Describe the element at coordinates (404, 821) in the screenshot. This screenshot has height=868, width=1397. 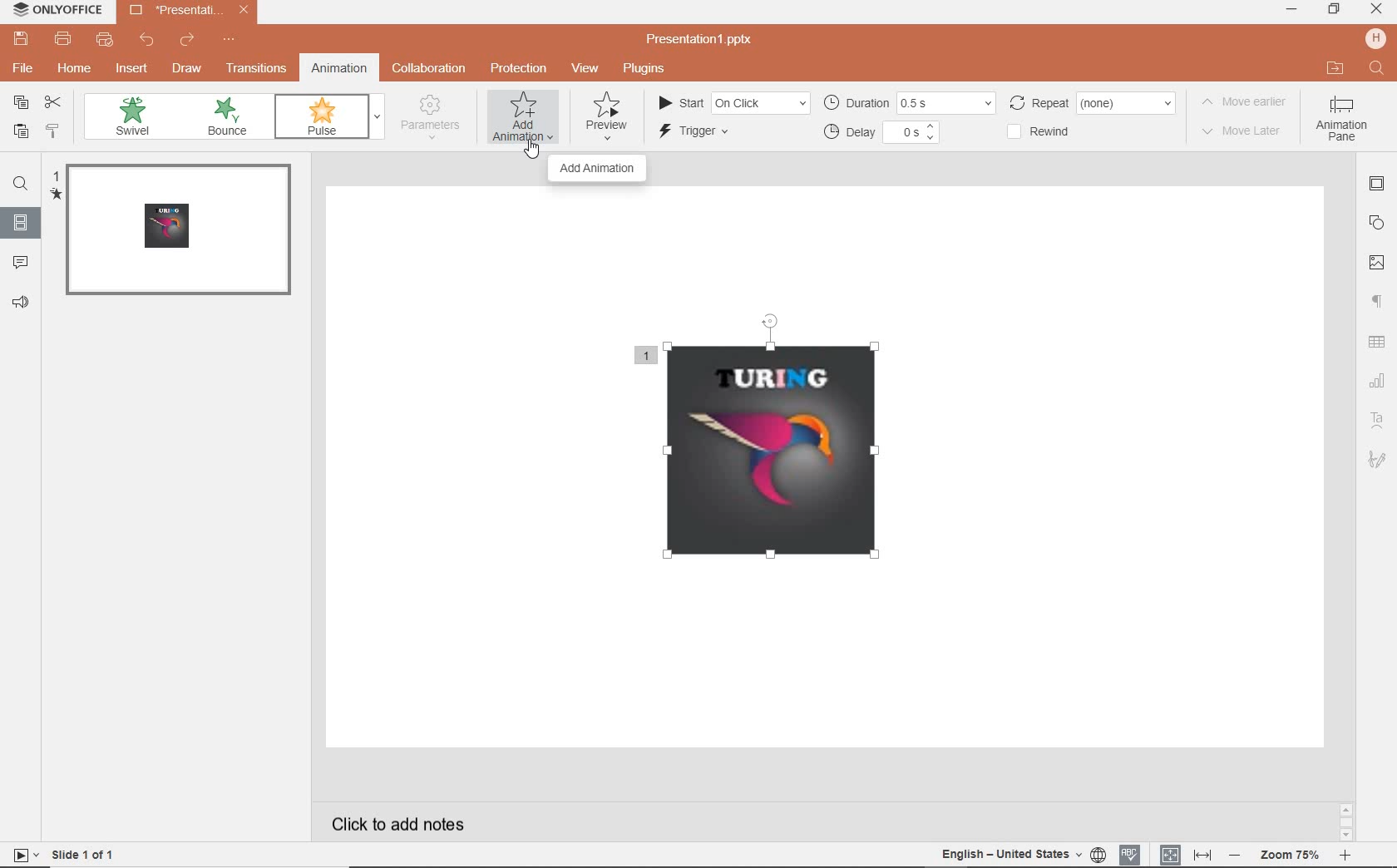
I see `click to add notes` at that location.